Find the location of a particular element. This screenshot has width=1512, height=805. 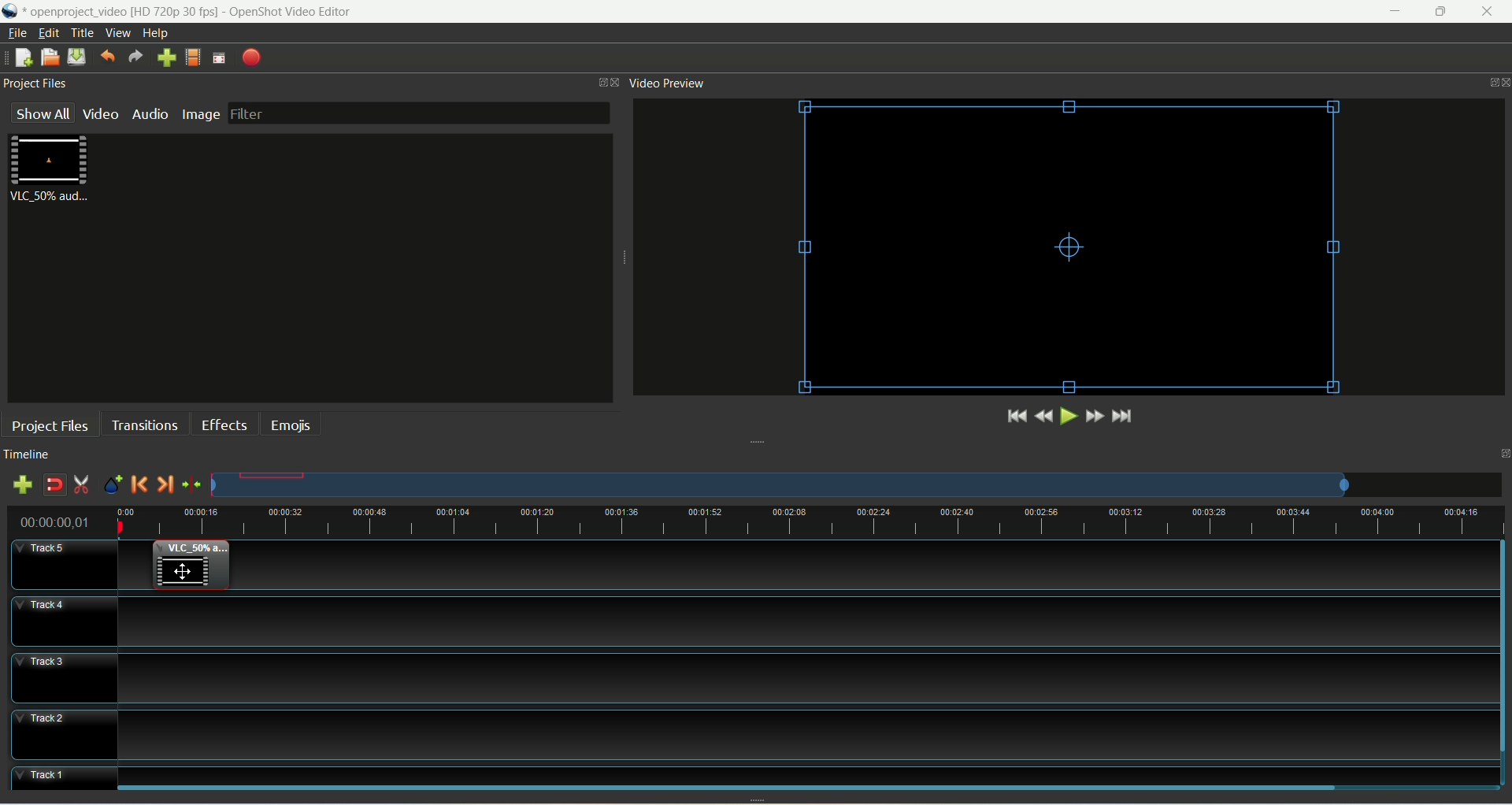

open project is located at coordinates (50, 57).